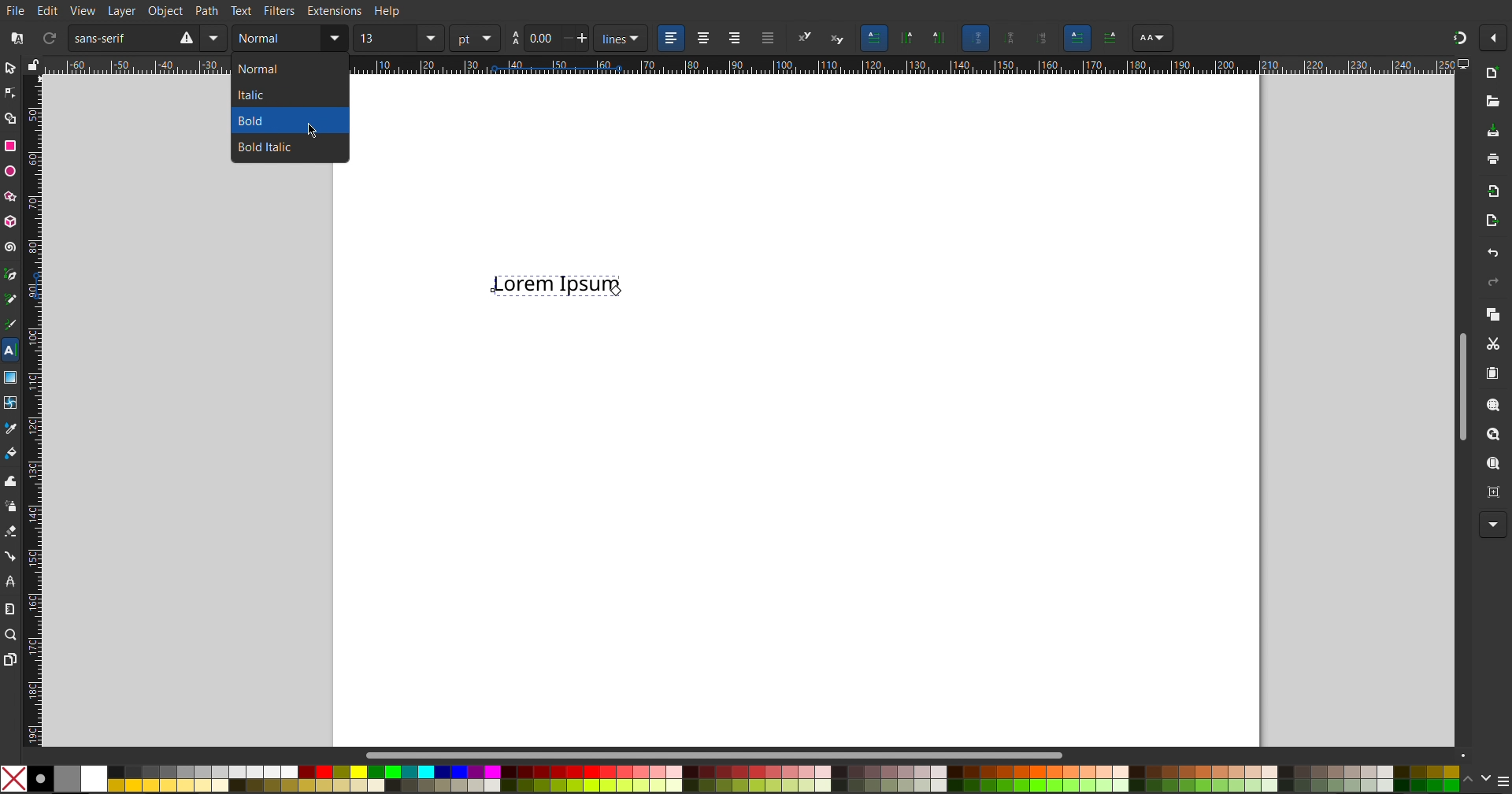  I want to click on Color Options, so click(1484, 778).